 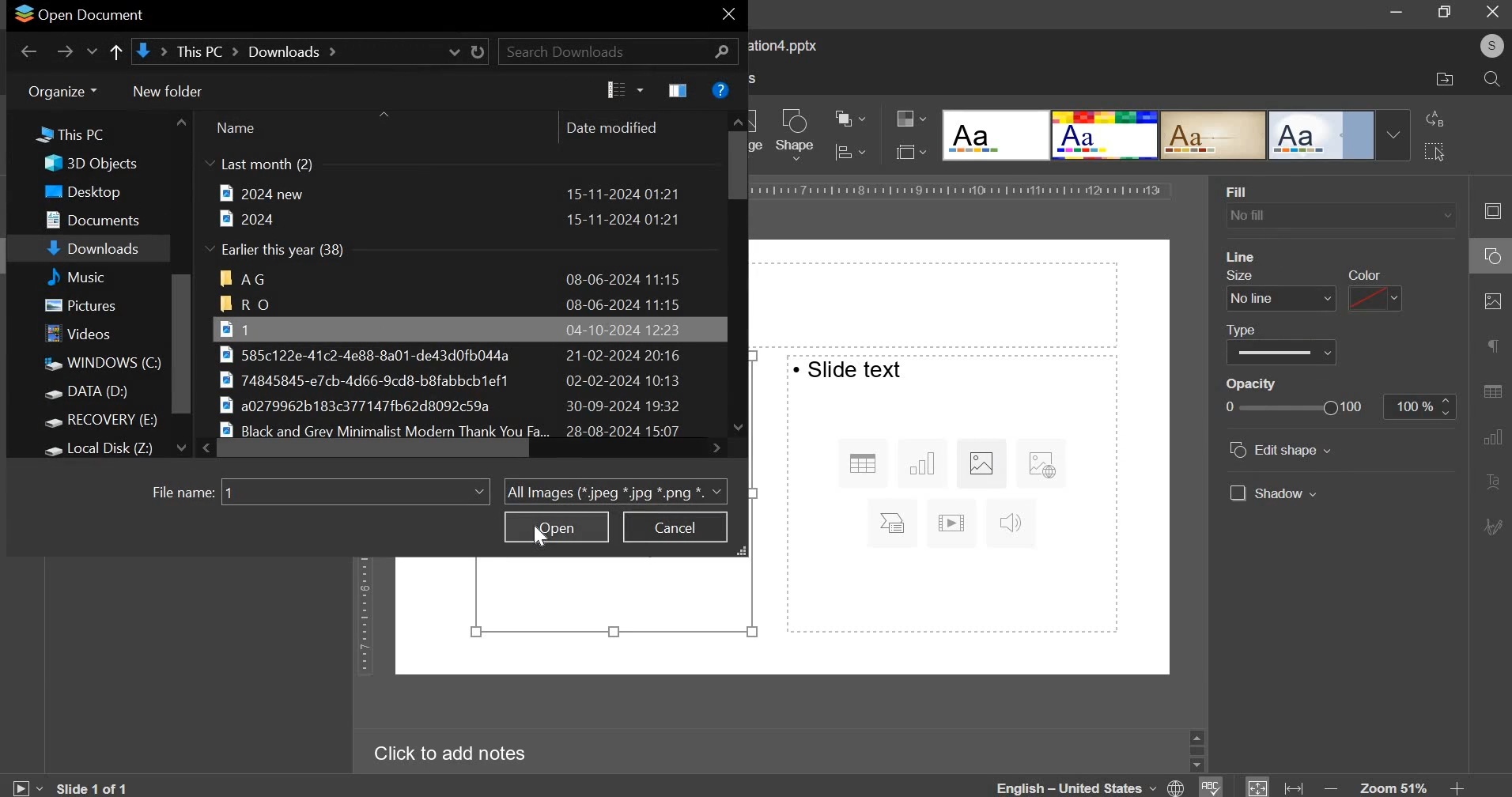 What do you see at coordinates (463, 448) in the screenshot?
I see `horizontal slider` at bounding box center [463, 448].